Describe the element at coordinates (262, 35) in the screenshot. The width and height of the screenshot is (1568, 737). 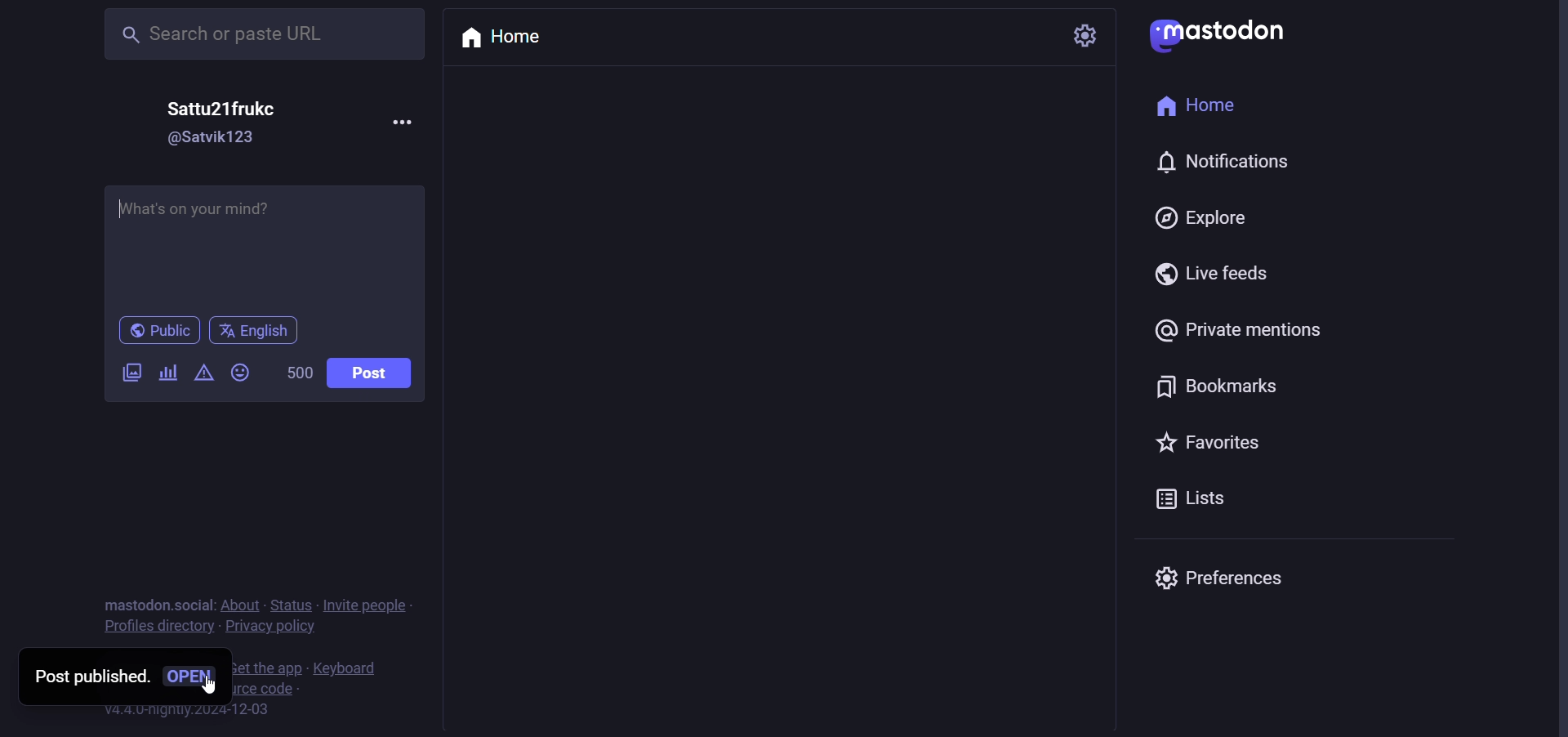
I see `search` at that location.